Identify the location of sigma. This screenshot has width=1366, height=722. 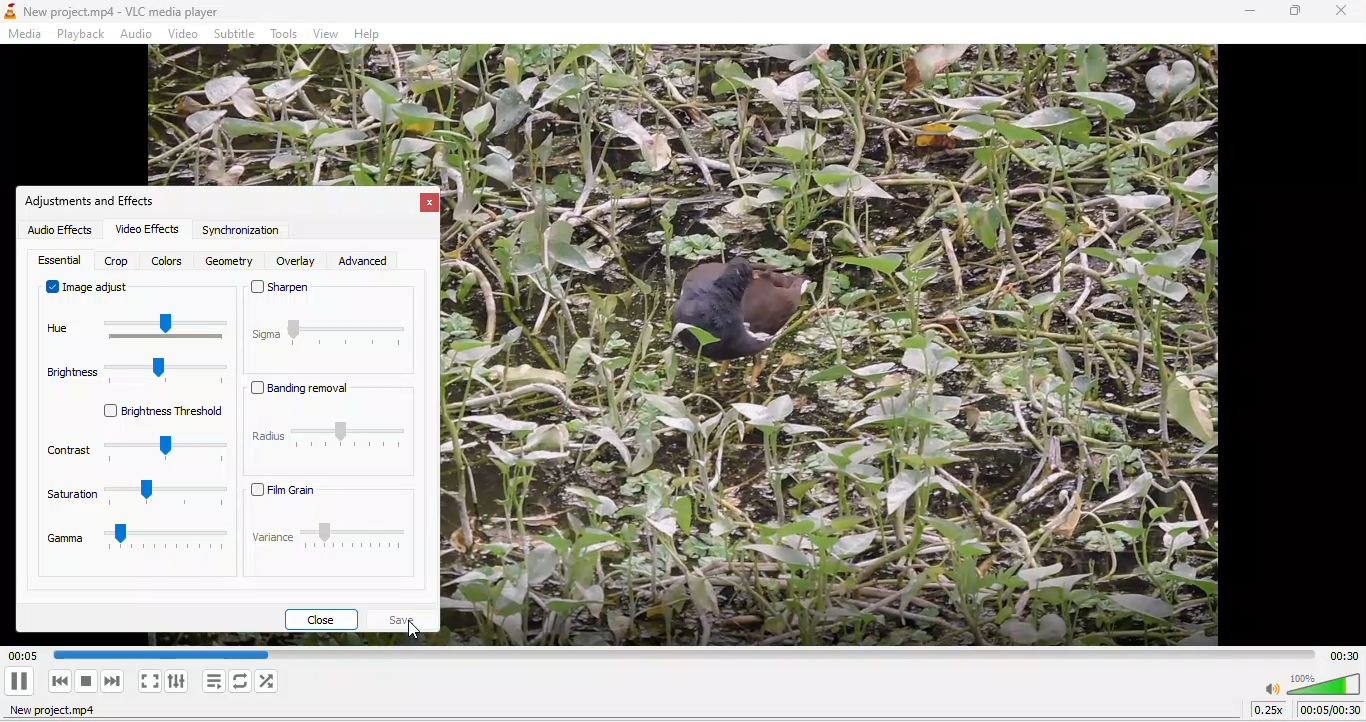
(331, 347).